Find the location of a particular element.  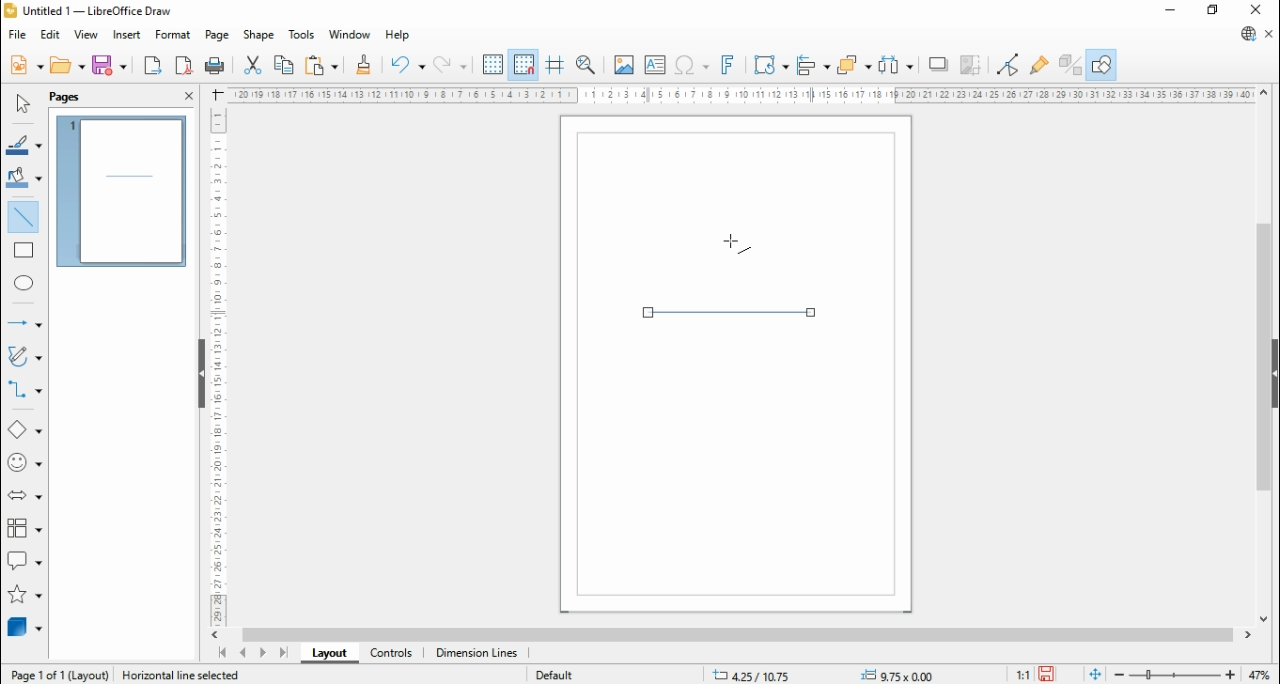

flowchart is located at coordinates (24, 529).